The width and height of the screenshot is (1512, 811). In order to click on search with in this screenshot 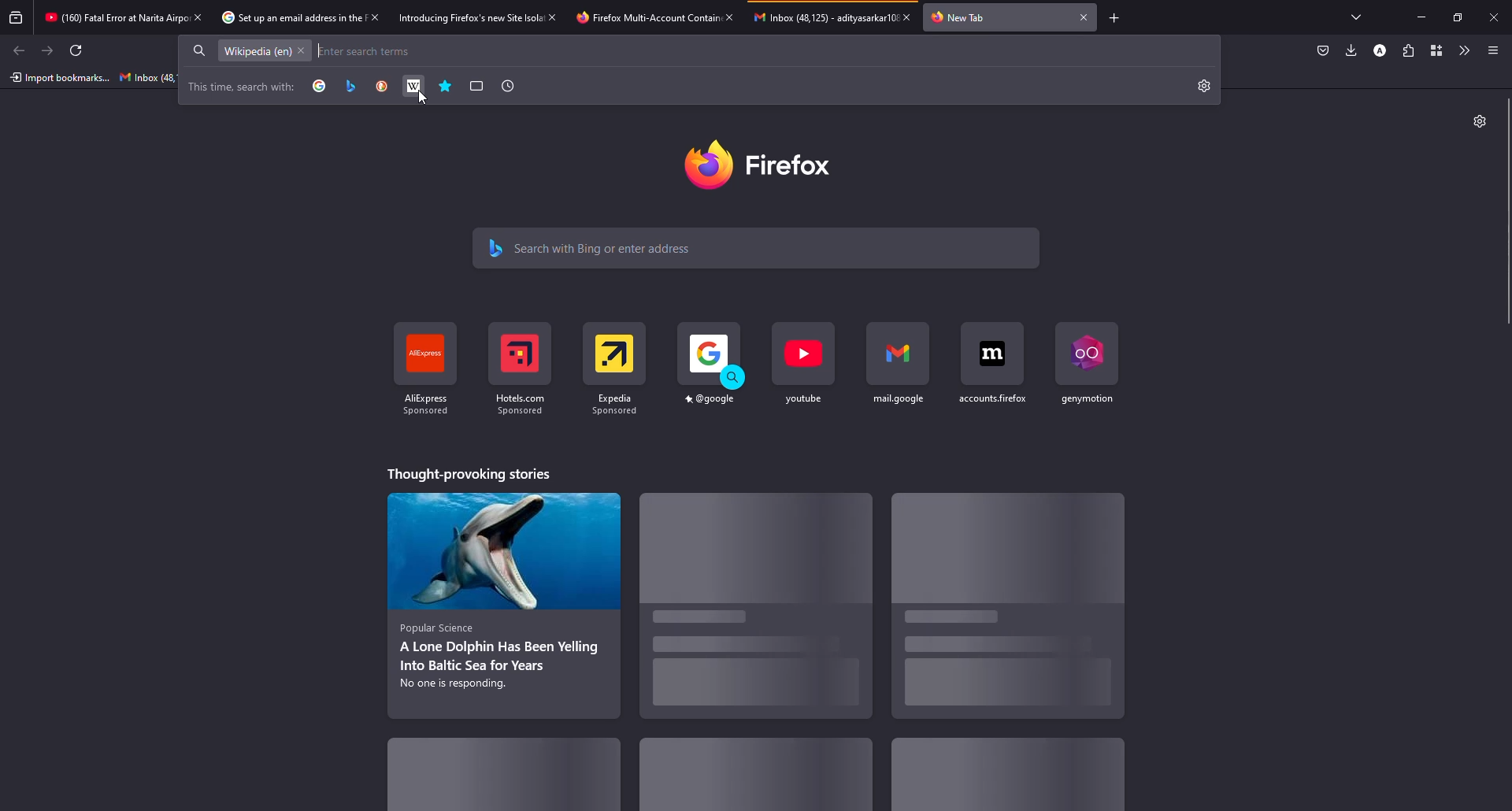, I will do `click(242, 87)`.